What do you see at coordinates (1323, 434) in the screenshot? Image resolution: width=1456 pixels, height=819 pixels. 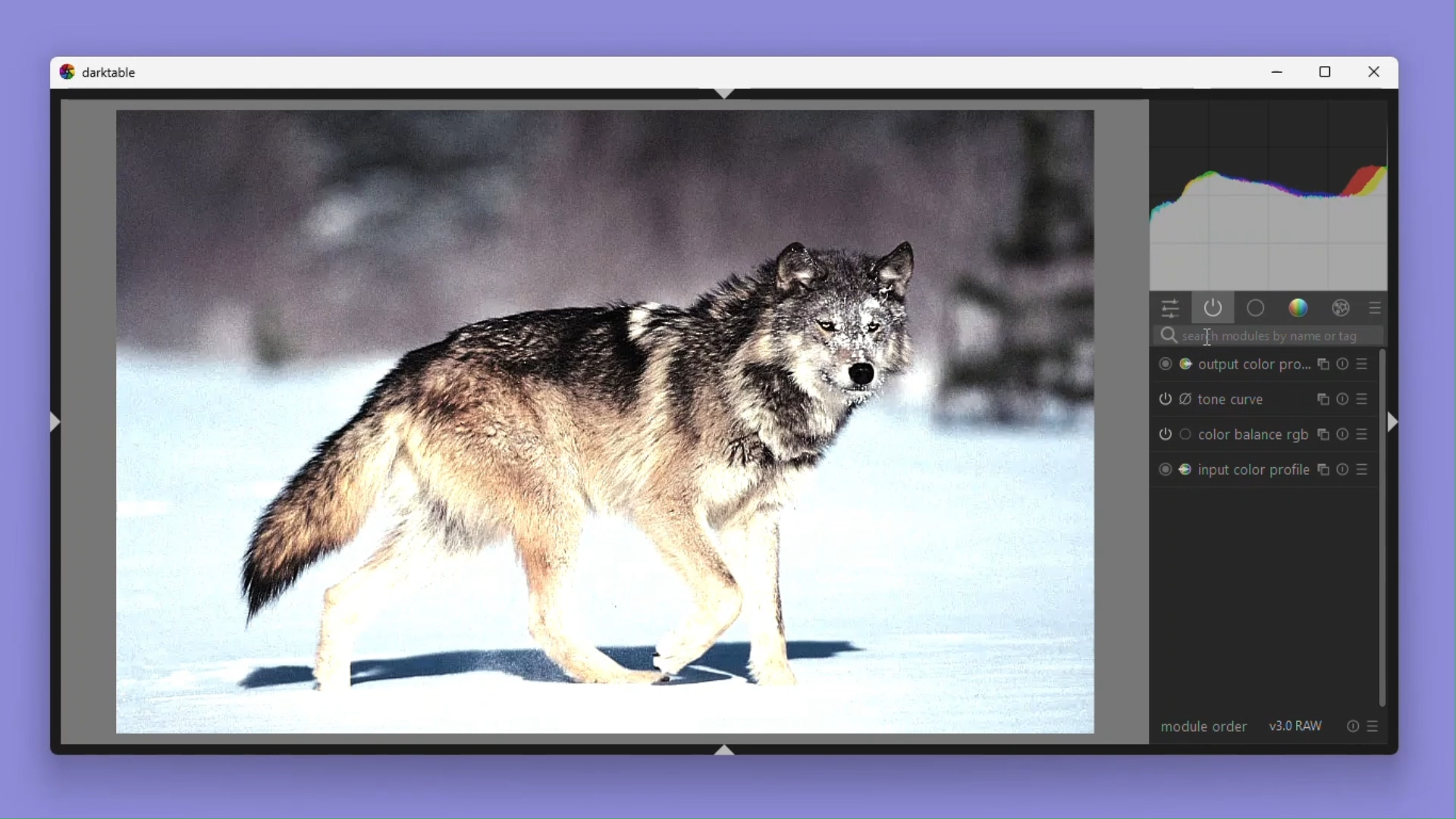 I see `copy` at bounding box center [1323, 434].